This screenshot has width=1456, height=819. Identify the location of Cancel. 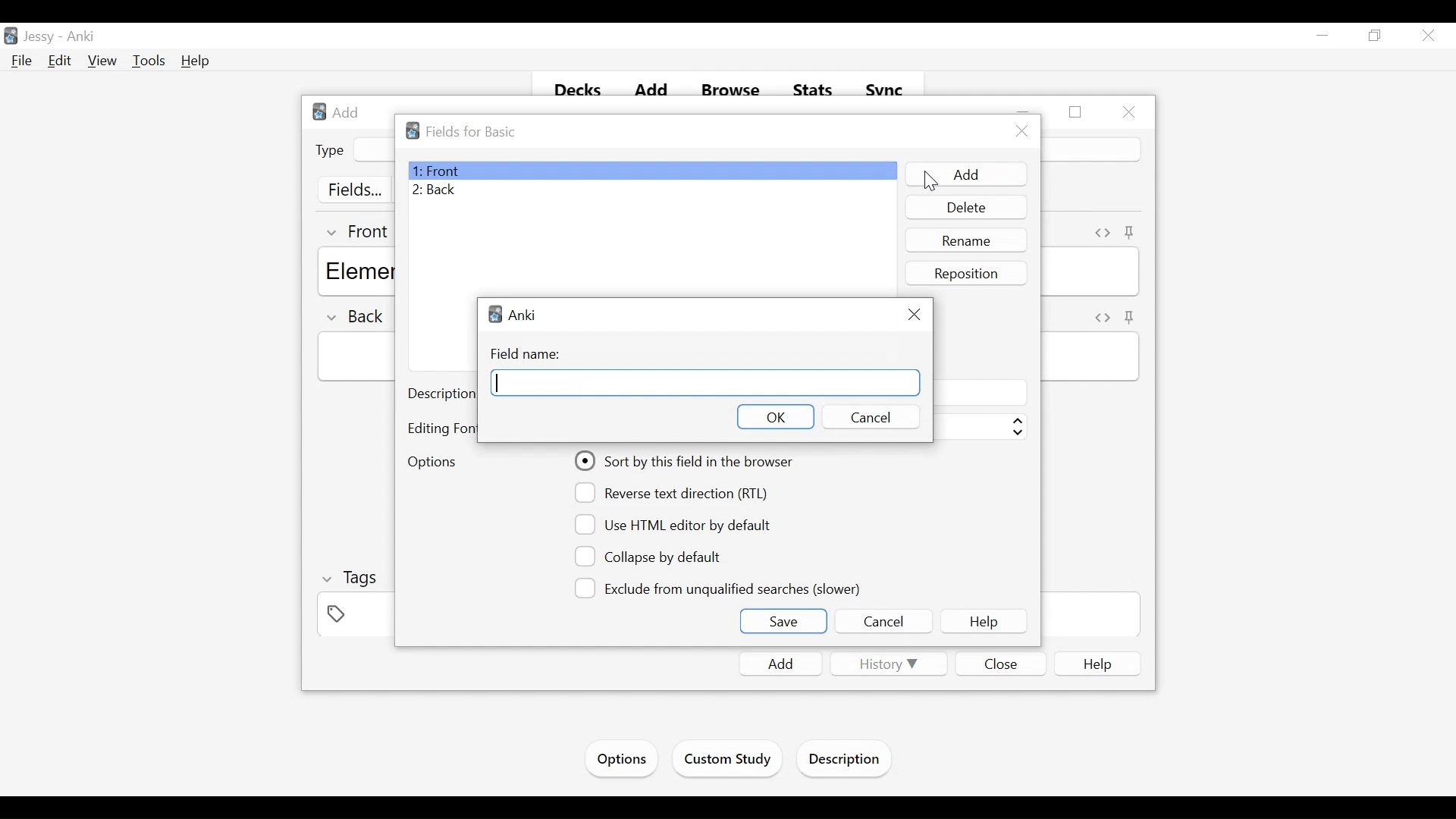
(884, 622).